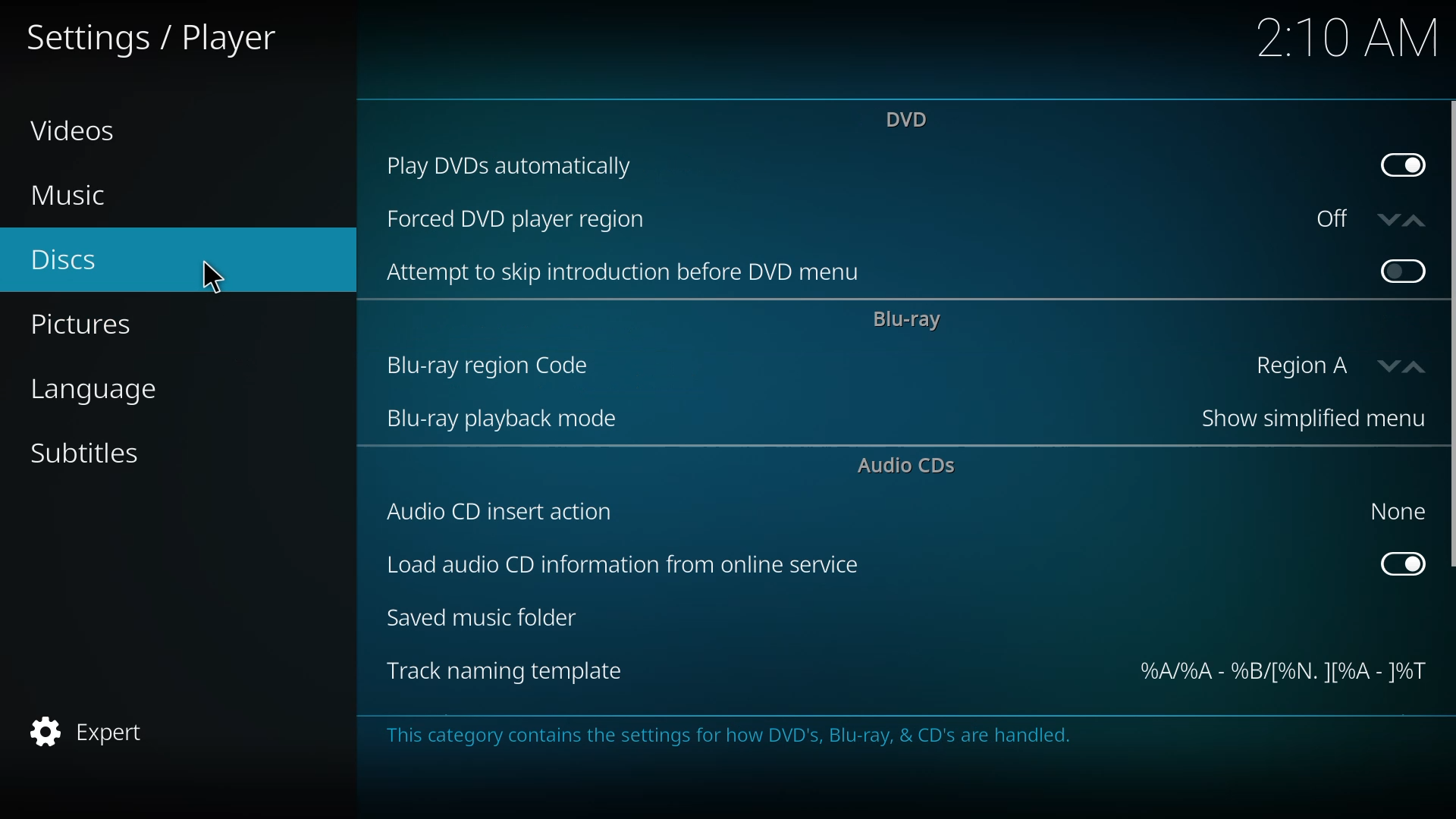 This screenshot has height=819, width=1456. What do you see at coordinates (1397, 564) in the screenshot?
I see `enabled` at bounding box center [1397, 564].